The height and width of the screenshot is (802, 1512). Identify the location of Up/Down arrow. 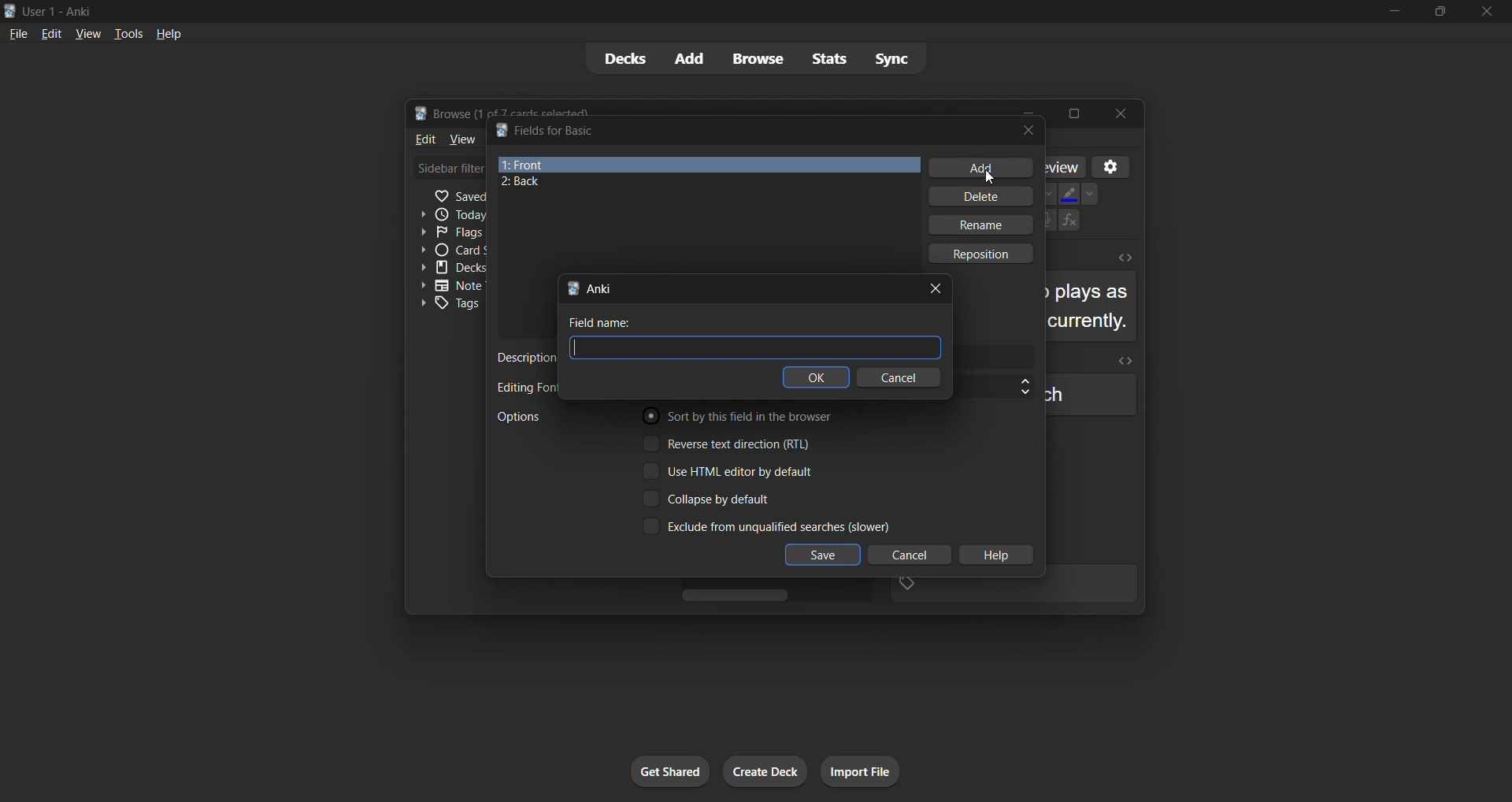
(1015, 385).